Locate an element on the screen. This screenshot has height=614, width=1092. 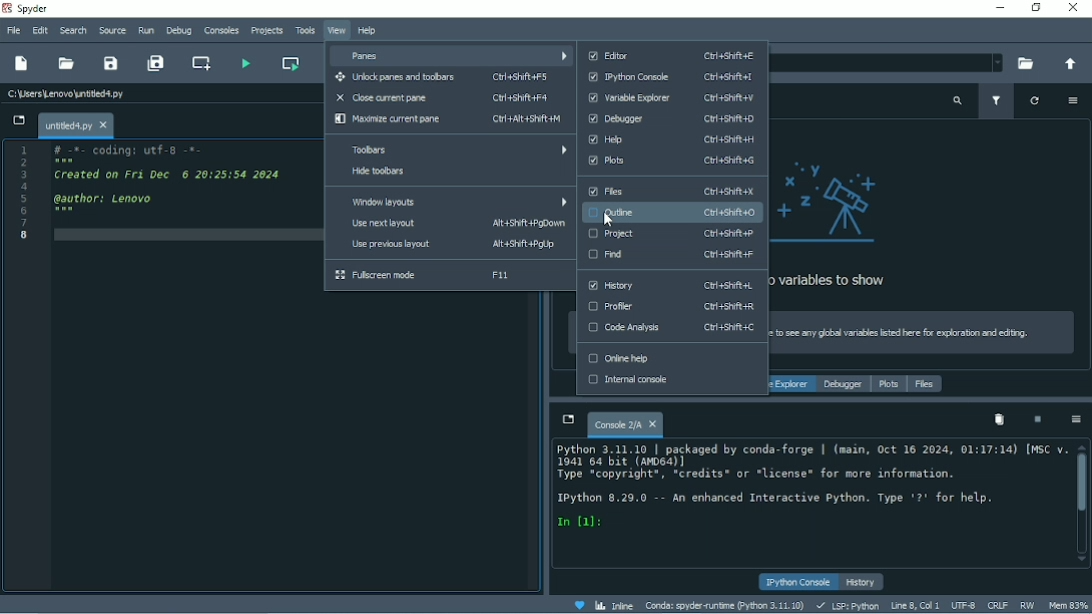
Debugger is located at coordinates (674, 119).